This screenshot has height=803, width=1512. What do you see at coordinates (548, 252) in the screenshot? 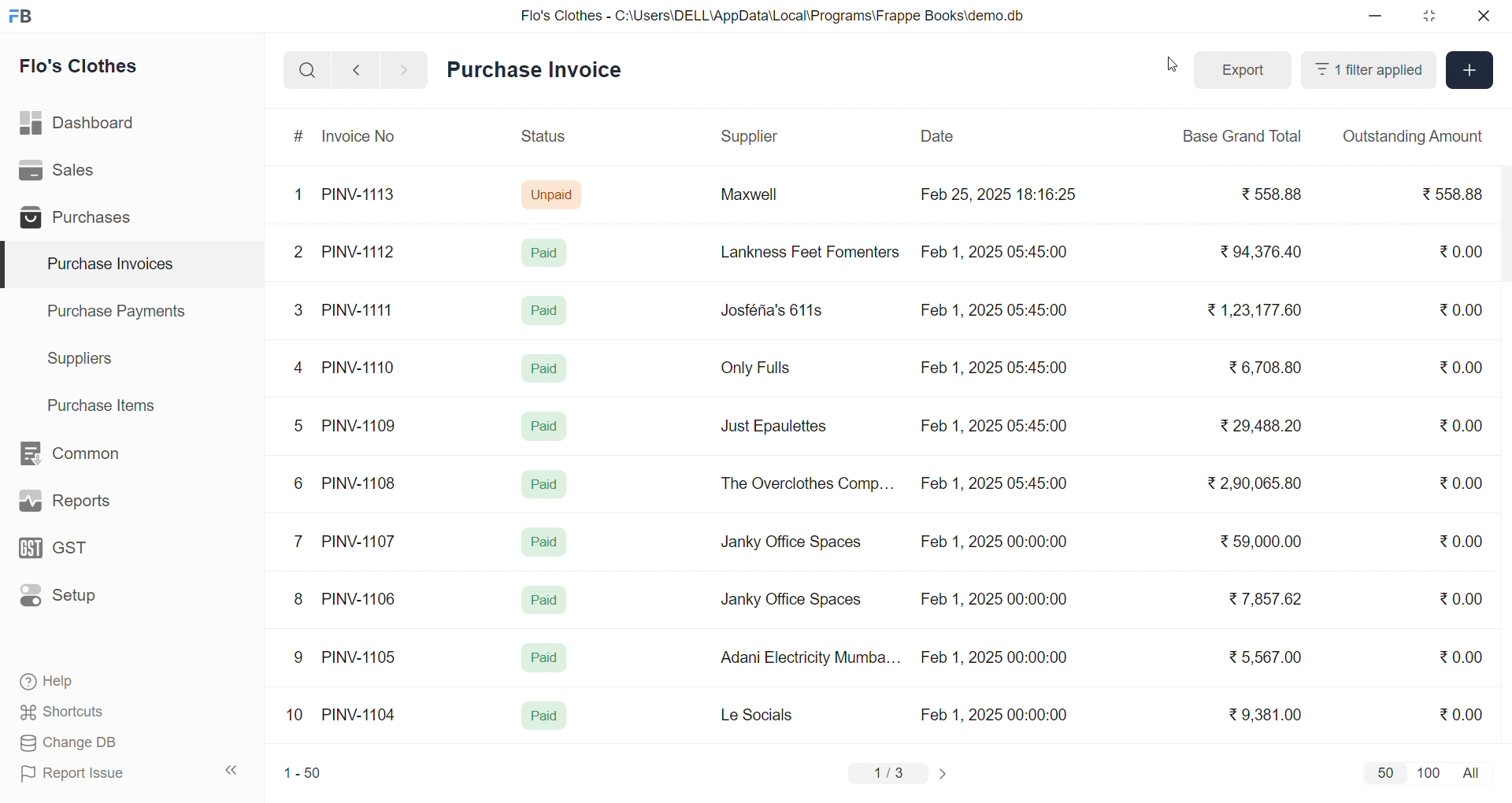
I see `Paid` at bounding box center [548, 252].